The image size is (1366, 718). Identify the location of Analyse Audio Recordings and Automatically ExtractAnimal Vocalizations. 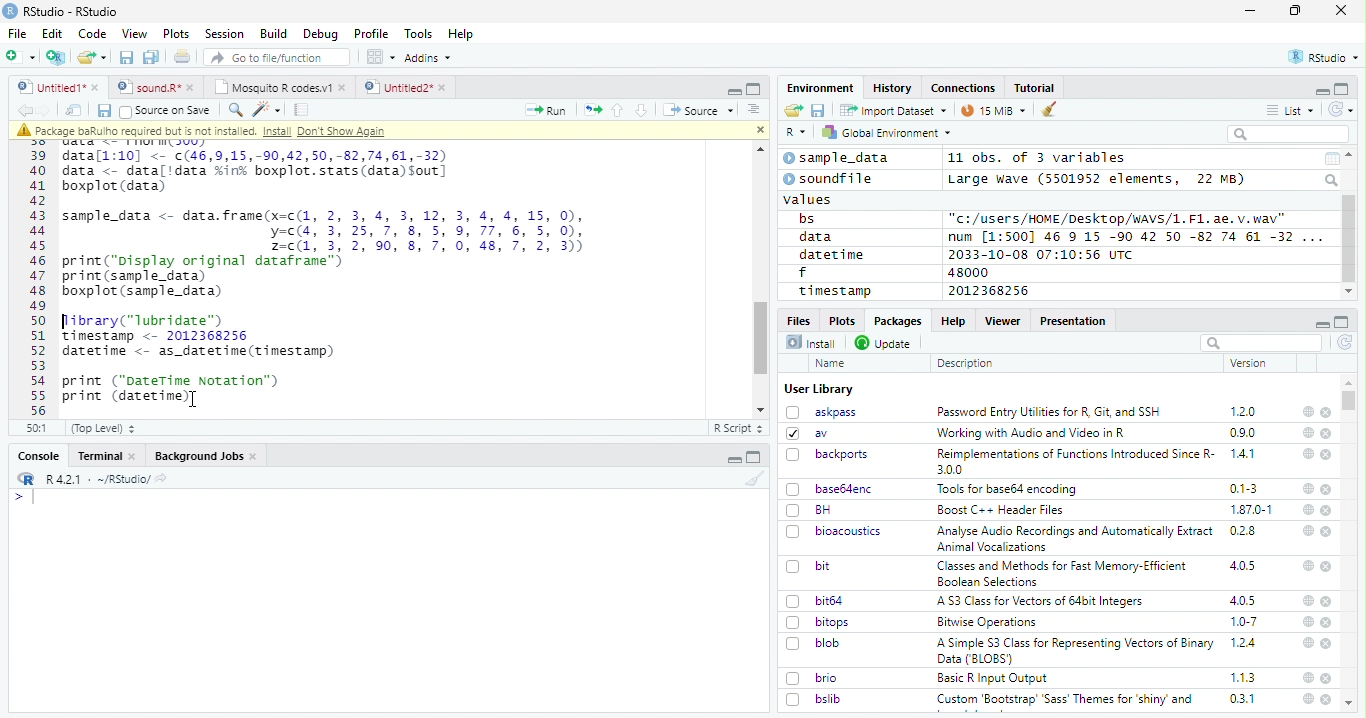
(1071, 538).